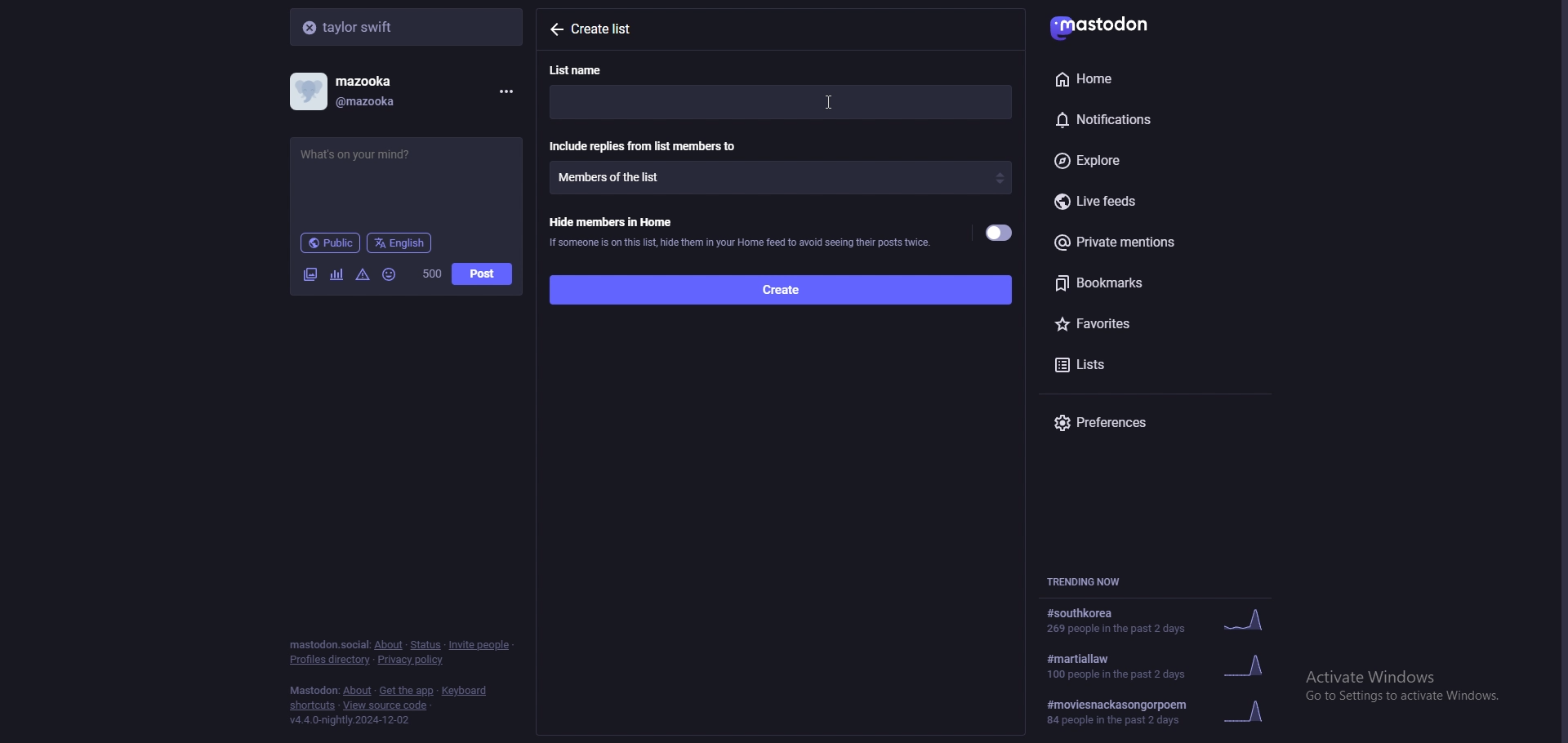  I want to click on live feeds, so click(1160, 202).